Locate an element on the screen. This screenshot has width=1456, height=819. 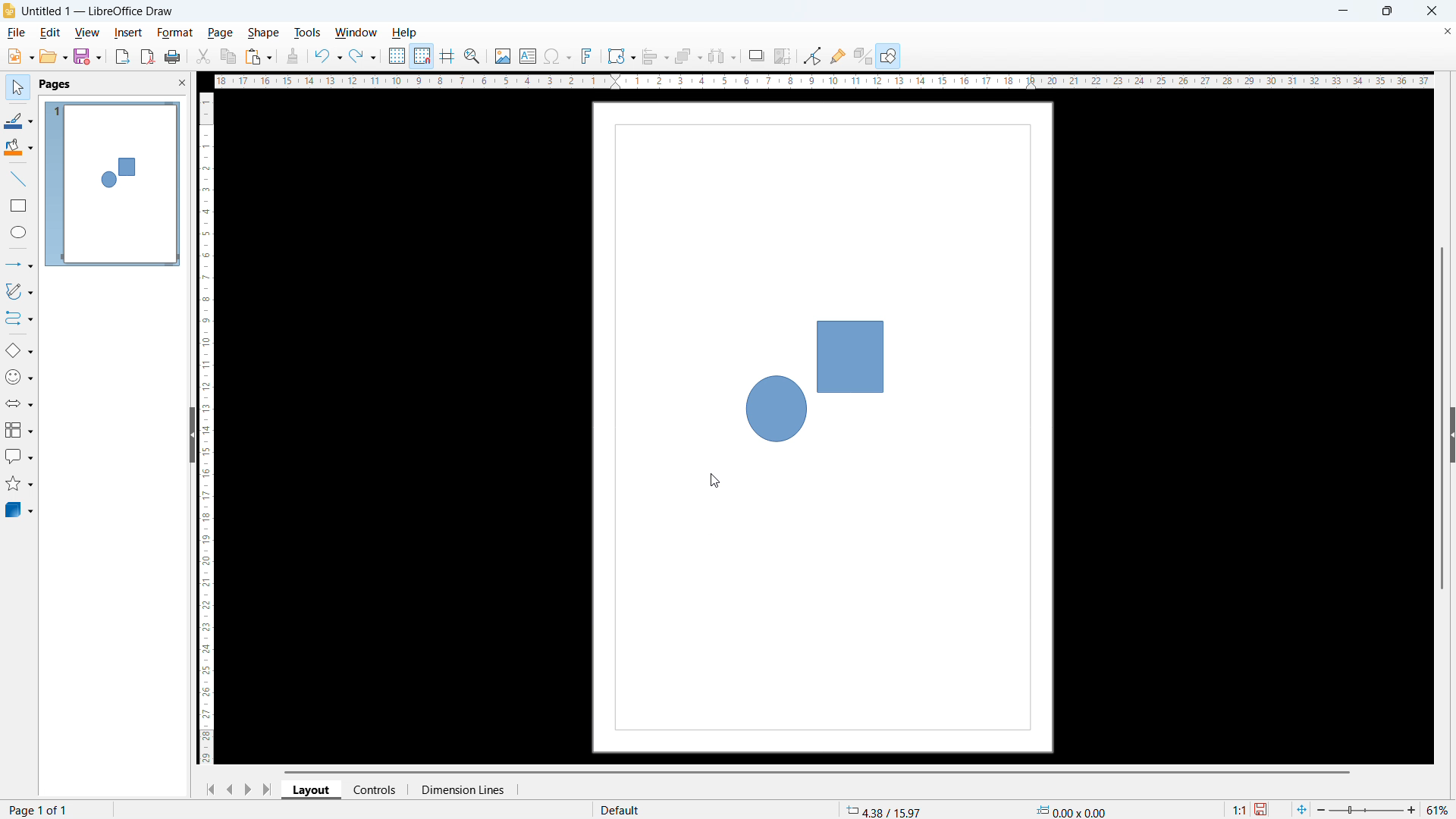
file is located at coordinates (17, 33).